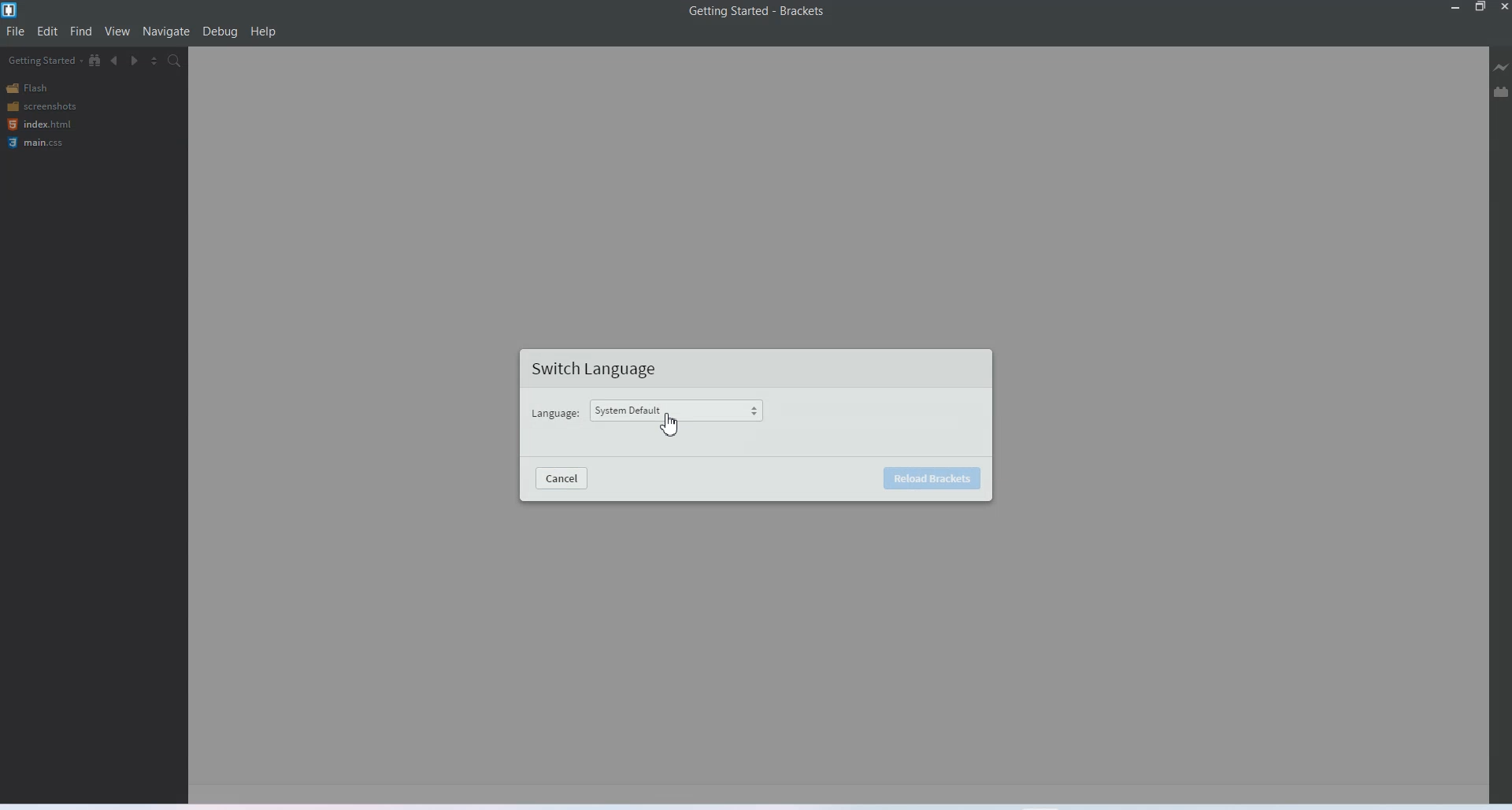 The width and height of the screenshot is (1512, 810). Describe the element at coordinates (135, 61) in the screenshot. I see `Navigate forward` at that location.